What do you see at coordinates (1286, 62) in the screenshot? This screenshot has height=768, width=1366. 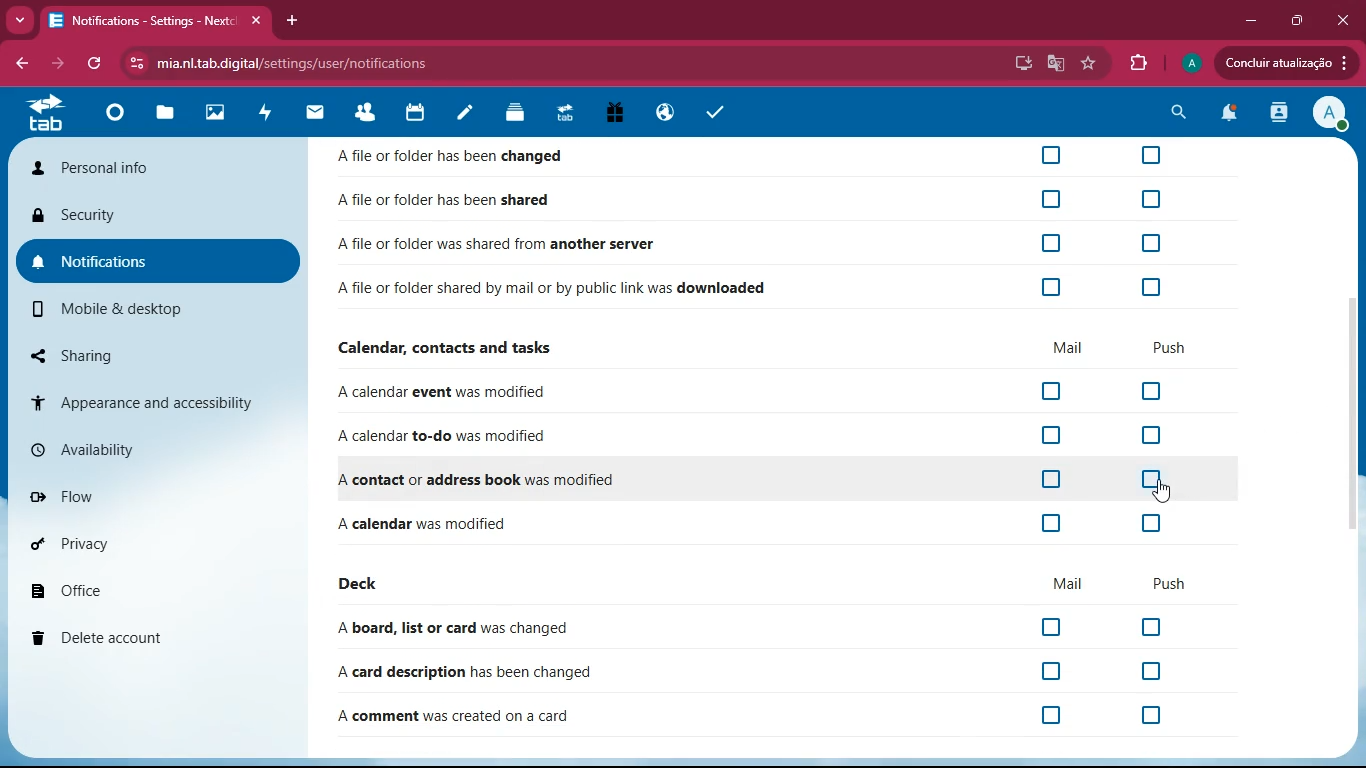 I see `Concluir atualizacao` at bounding box center [1286, 62].